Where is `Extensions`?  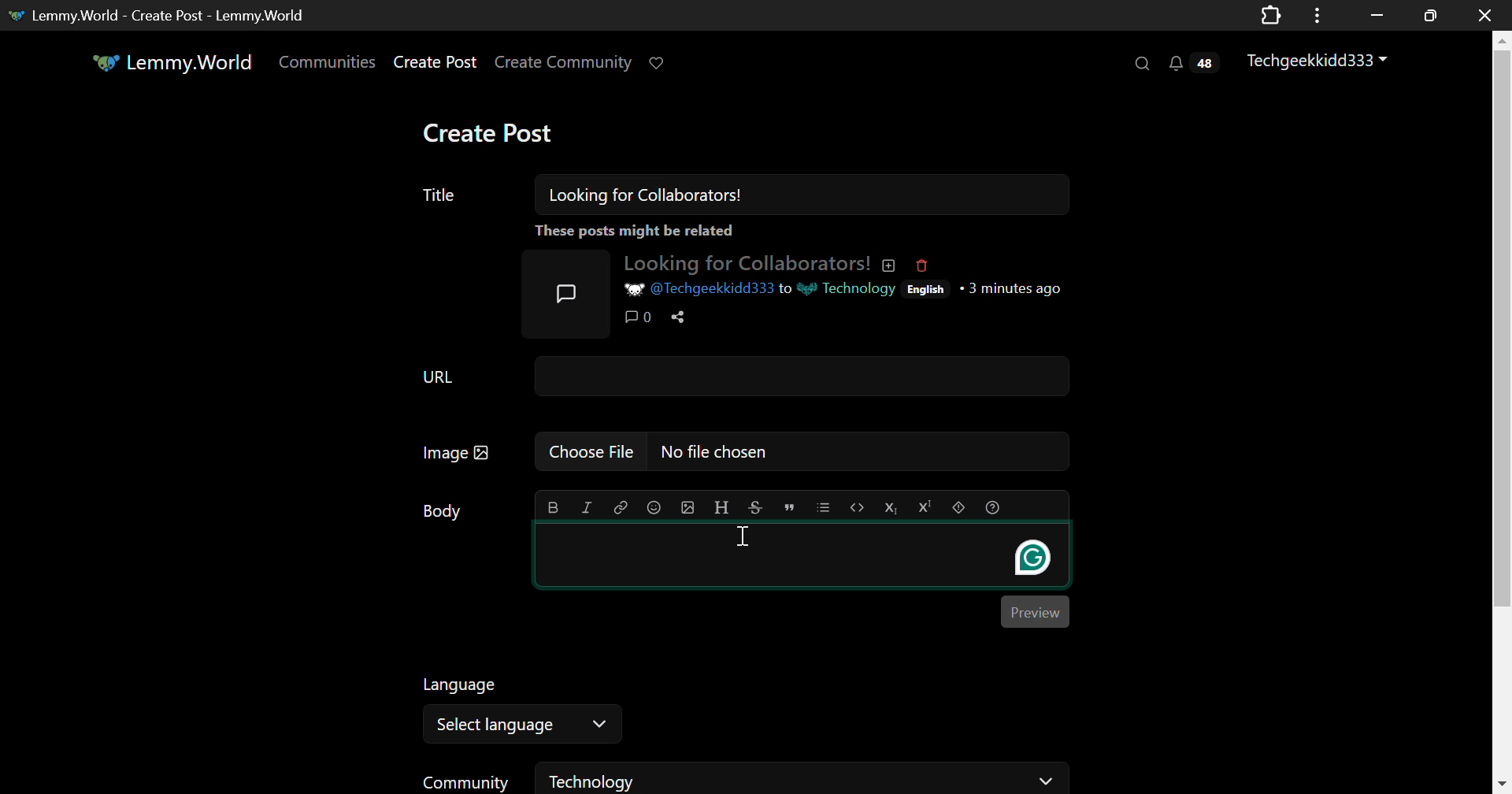
Extensions is located at coordinates (1270, 14).